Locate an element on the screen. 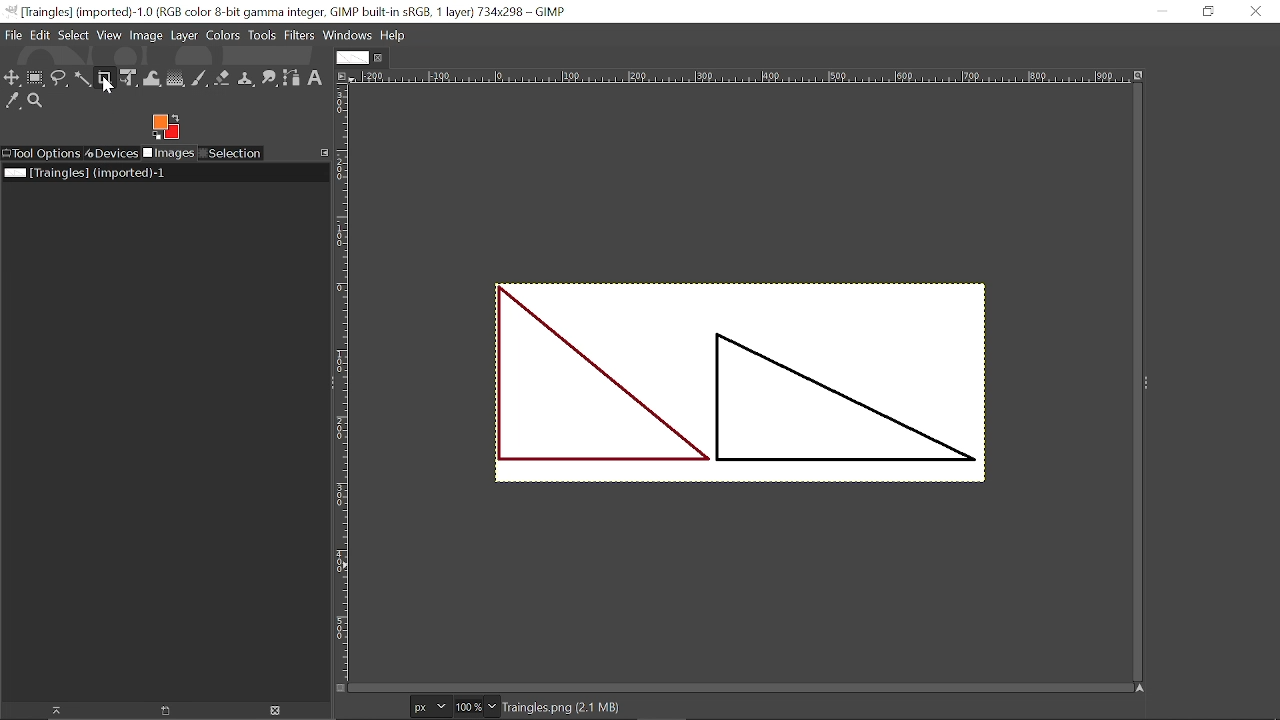 This screenshot has height=720, width=1280. Close current tab is located at coordinates (379, 57).